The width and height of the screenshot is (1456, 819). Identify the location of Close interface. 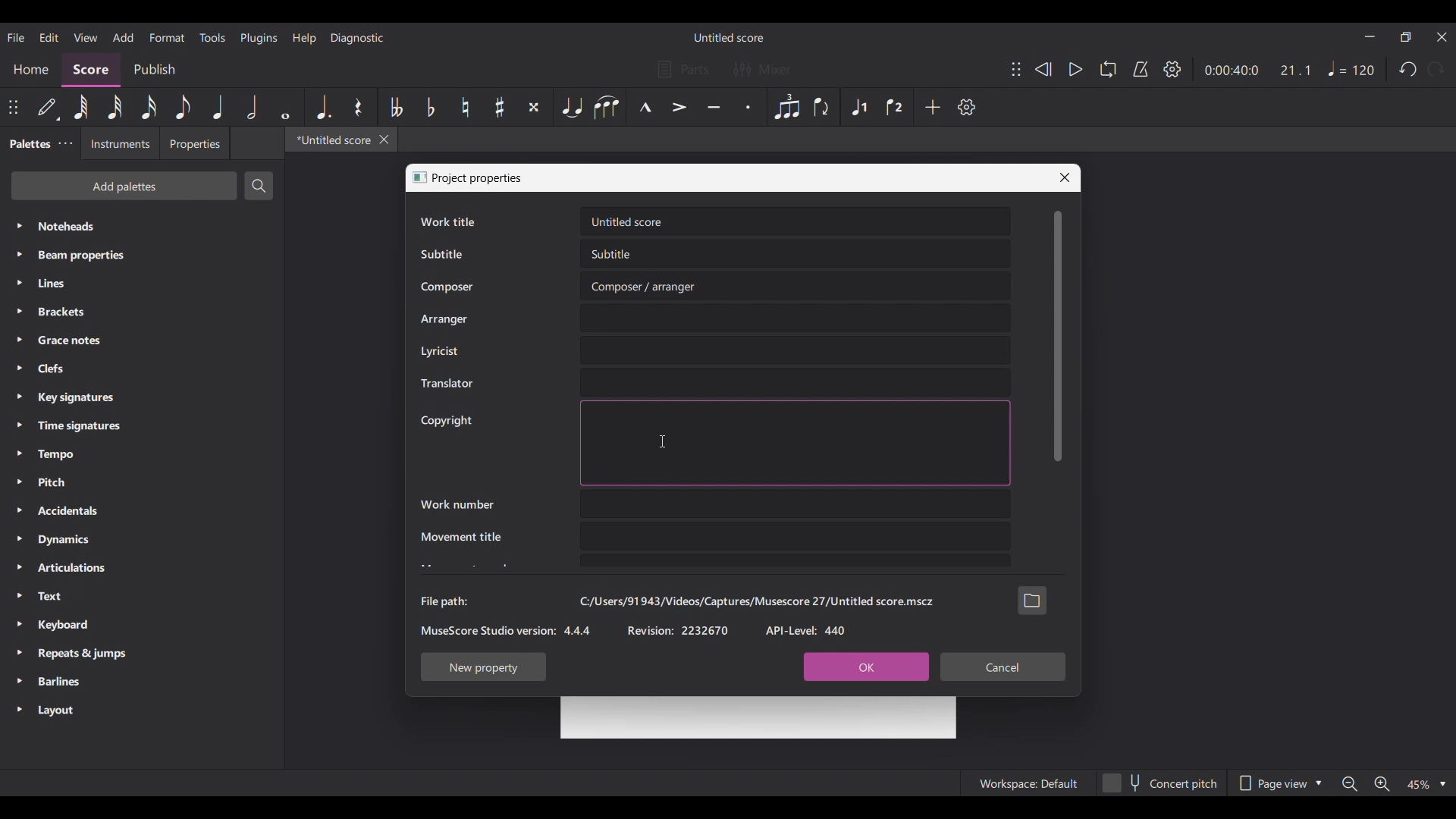
(1442, 37).